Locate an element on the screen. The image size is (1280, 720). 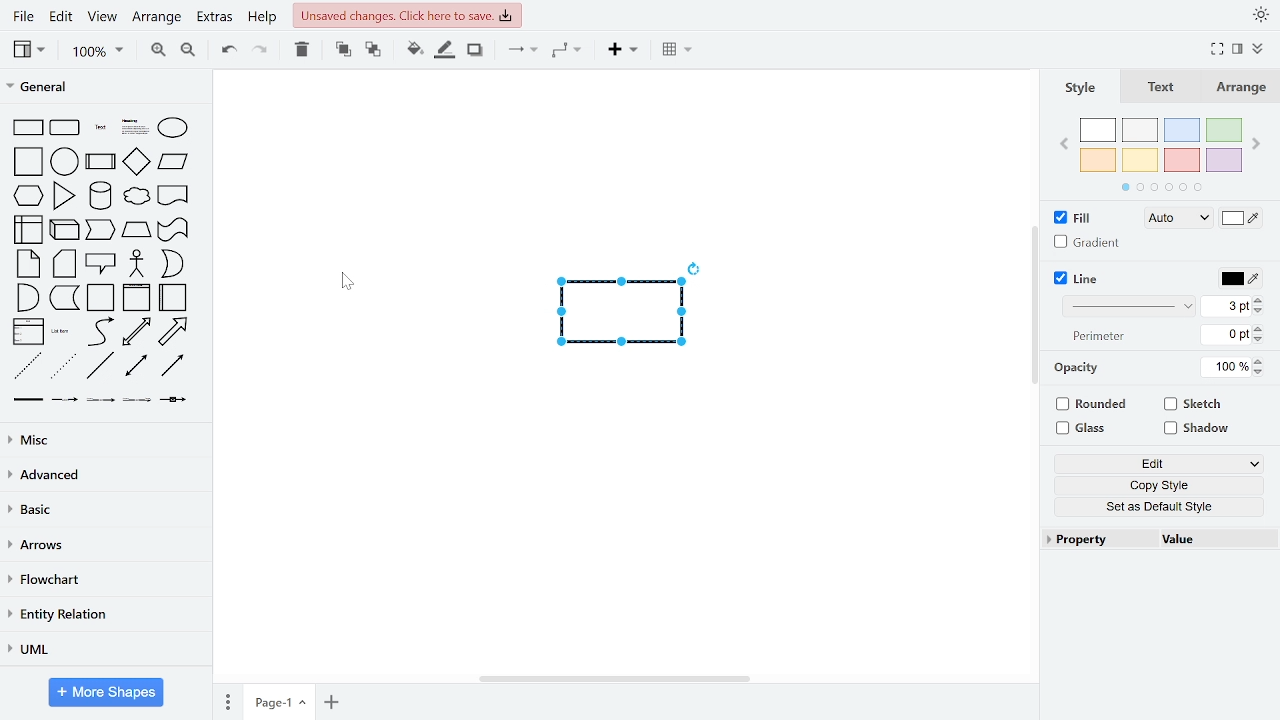
to back is located at coordinates (374, 52).